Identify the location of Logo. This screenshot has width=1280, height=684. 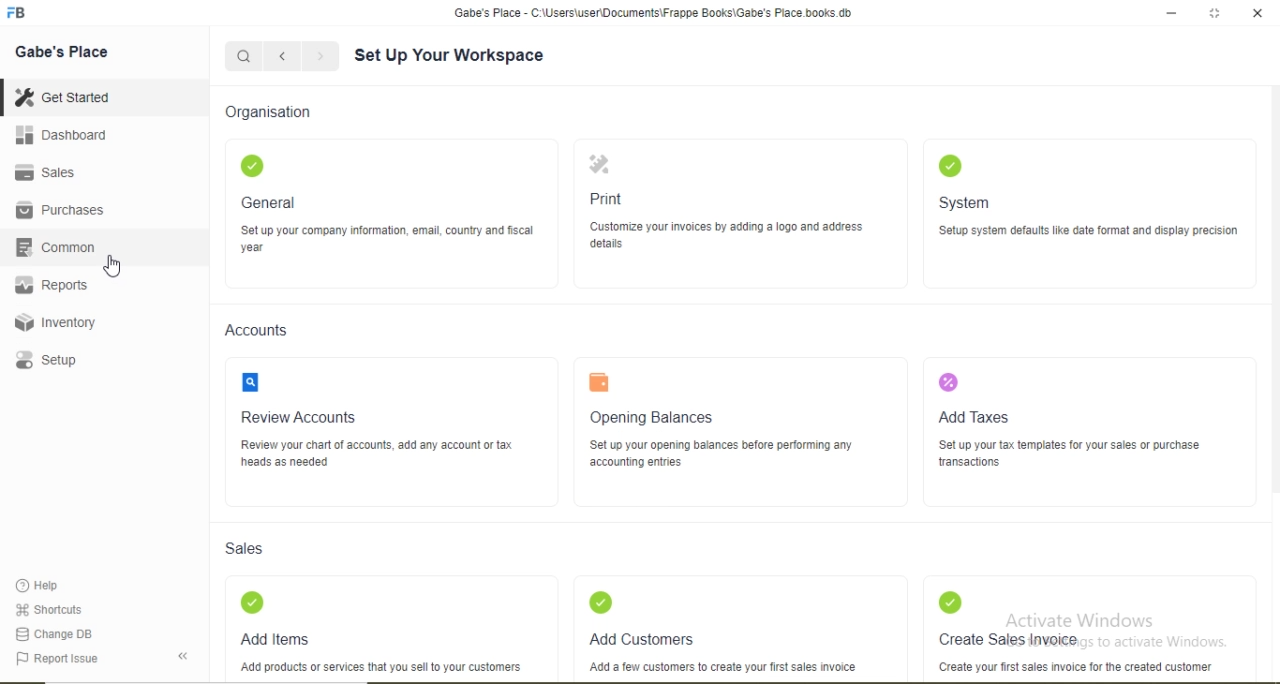
(17, 13).